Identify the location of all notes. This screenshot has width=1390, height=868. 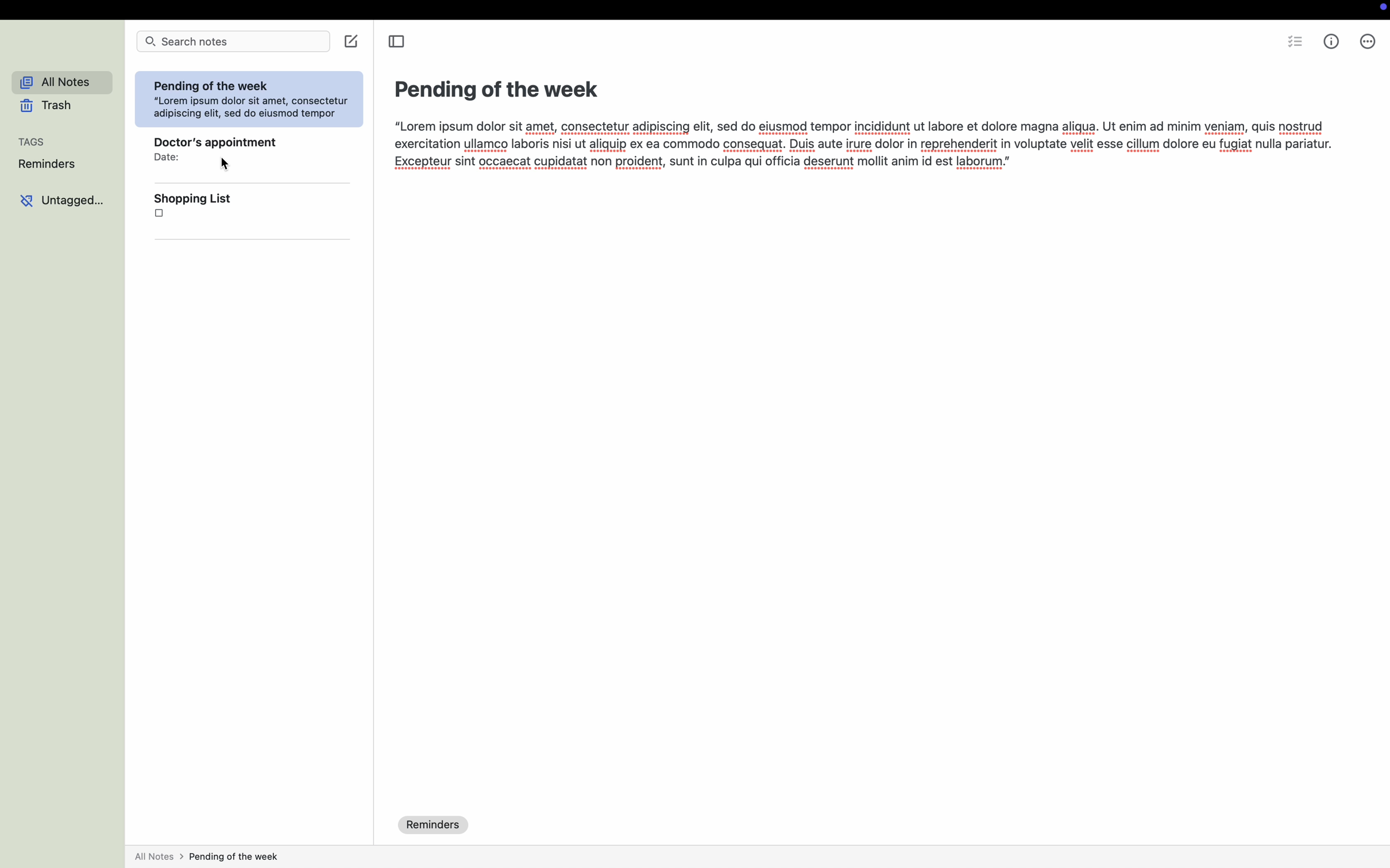
(56, 83).